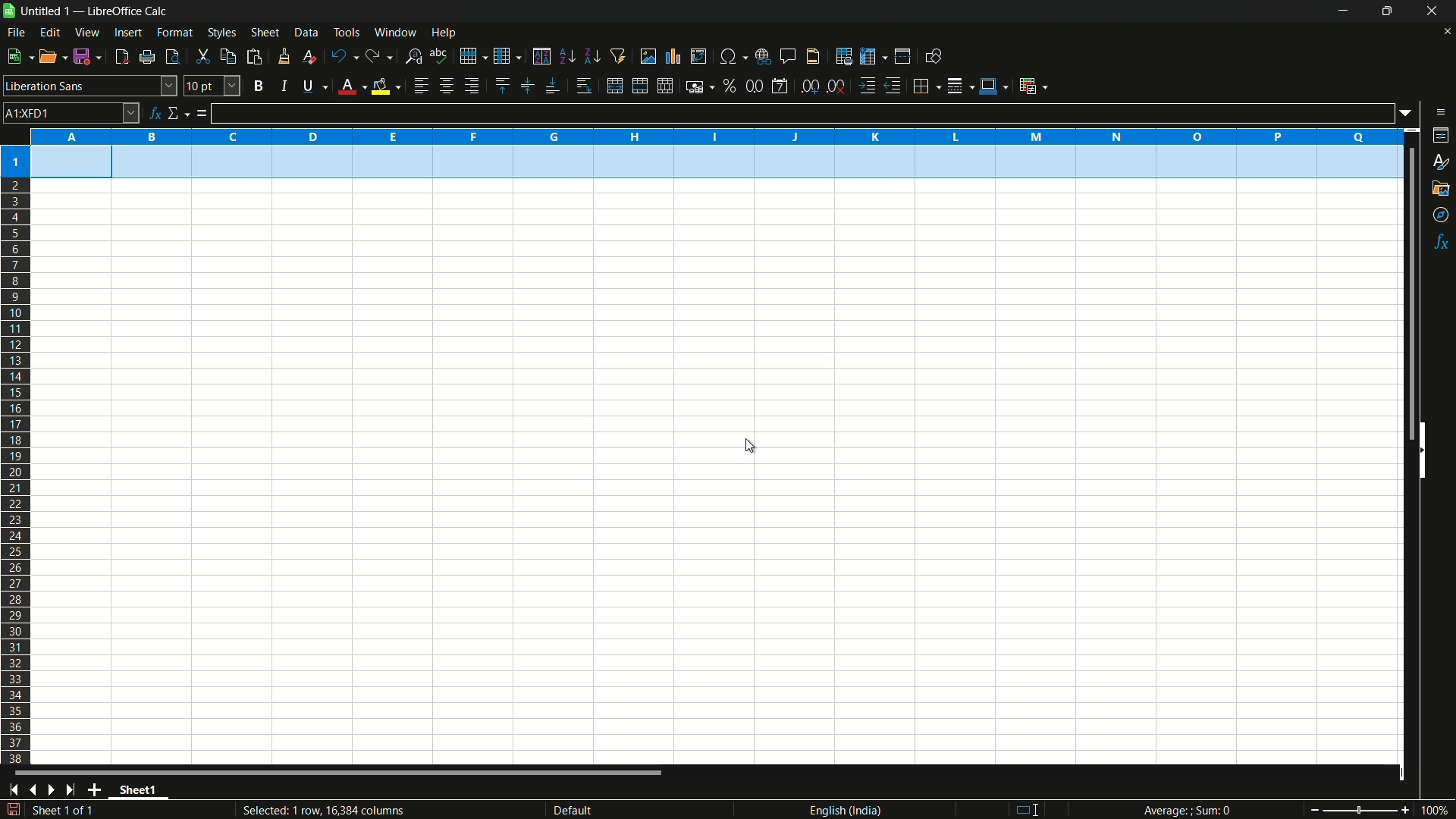 This screenshot has width=1456, height=819. I want to click on show draw functions, so click(932, 56).